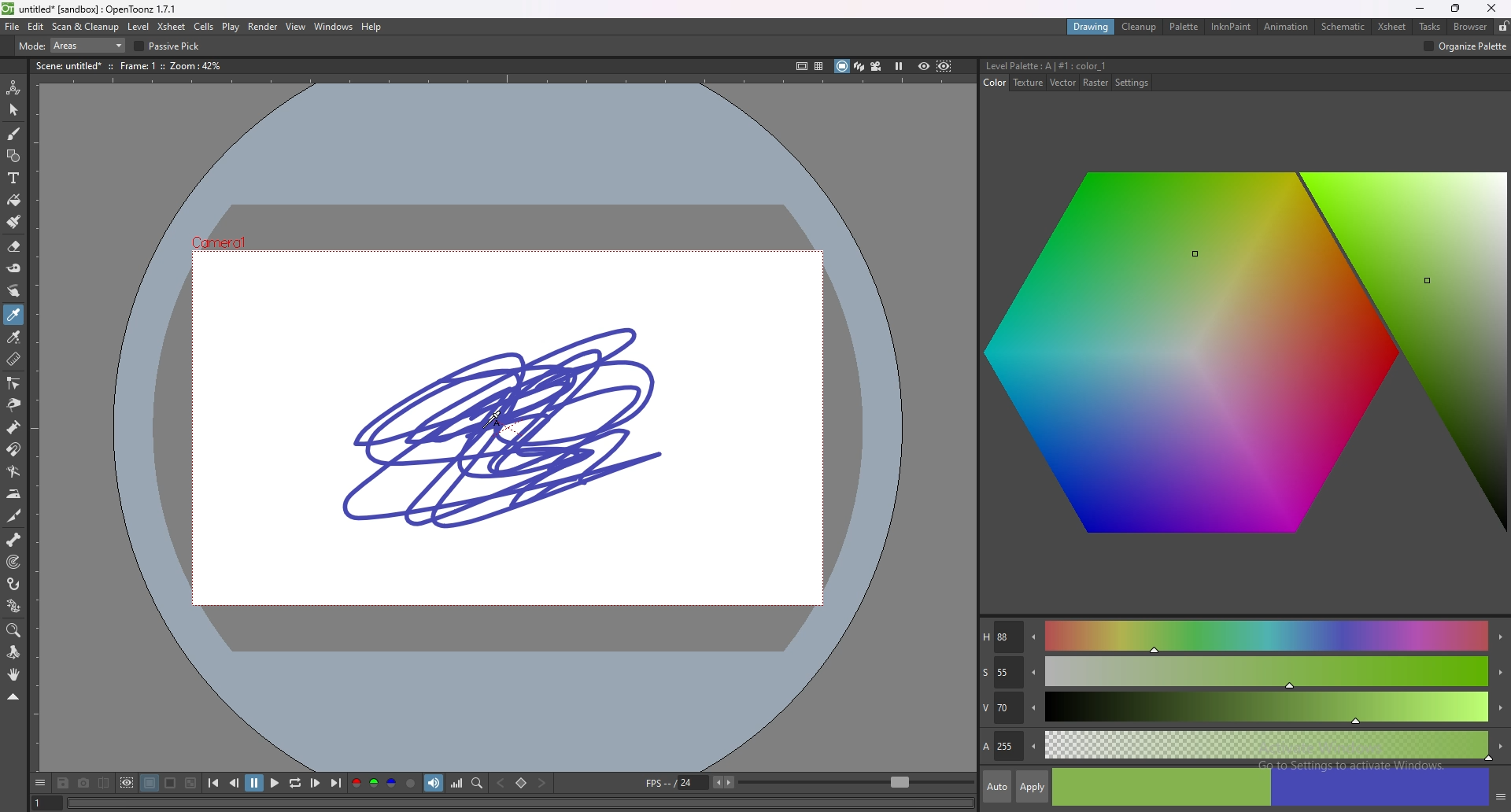  What do you see at coordinates (14, 631) in the screenshot?
I see `zoom tool` at bounding box center [14, 631].